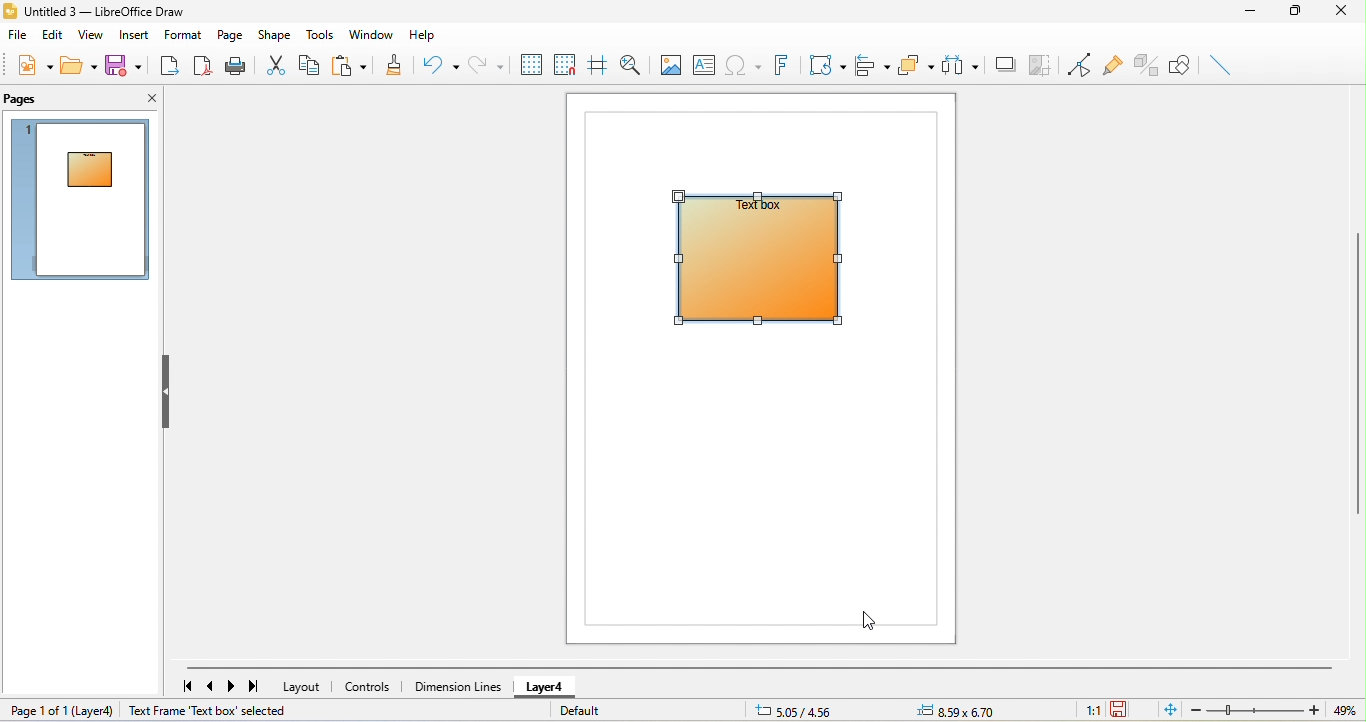  What do you see at coordinates (1112, 63) in the screenshot?
I see `glue point function` at bounding box center [1112, 63].